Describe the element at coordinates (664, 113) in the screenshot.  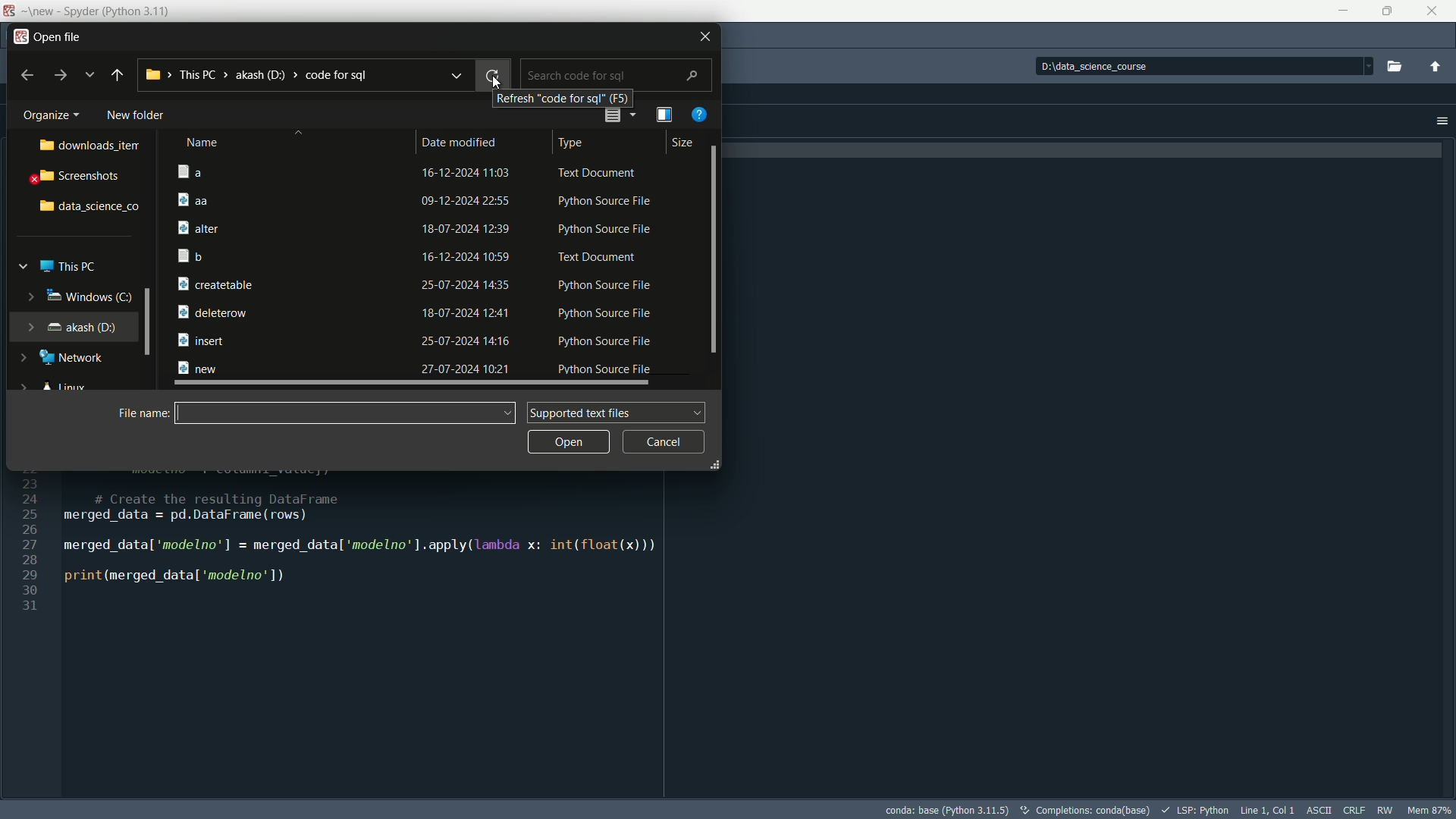
I see `preview pane` at that location.